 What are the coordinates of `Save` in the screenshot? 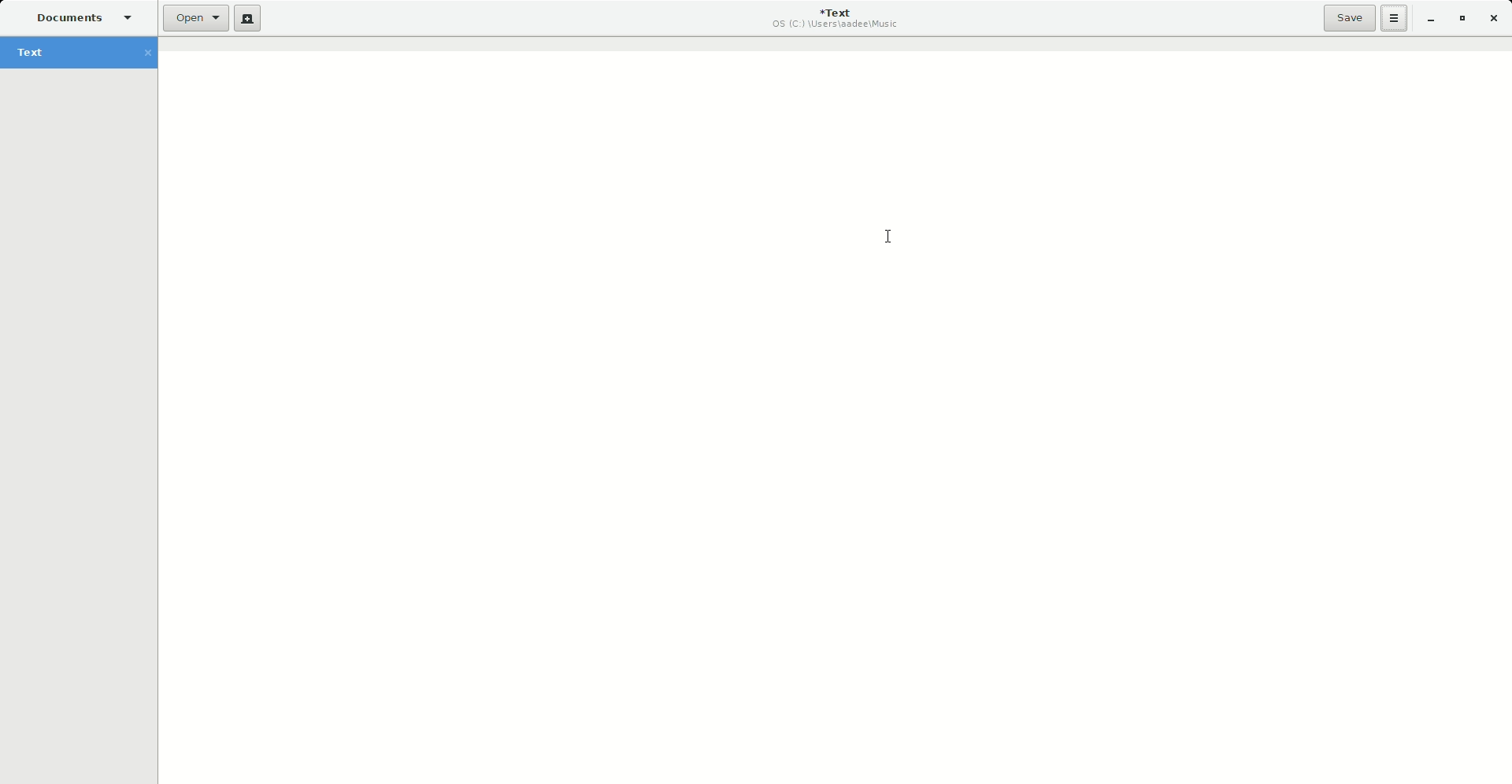 It's located at (1349, 18).